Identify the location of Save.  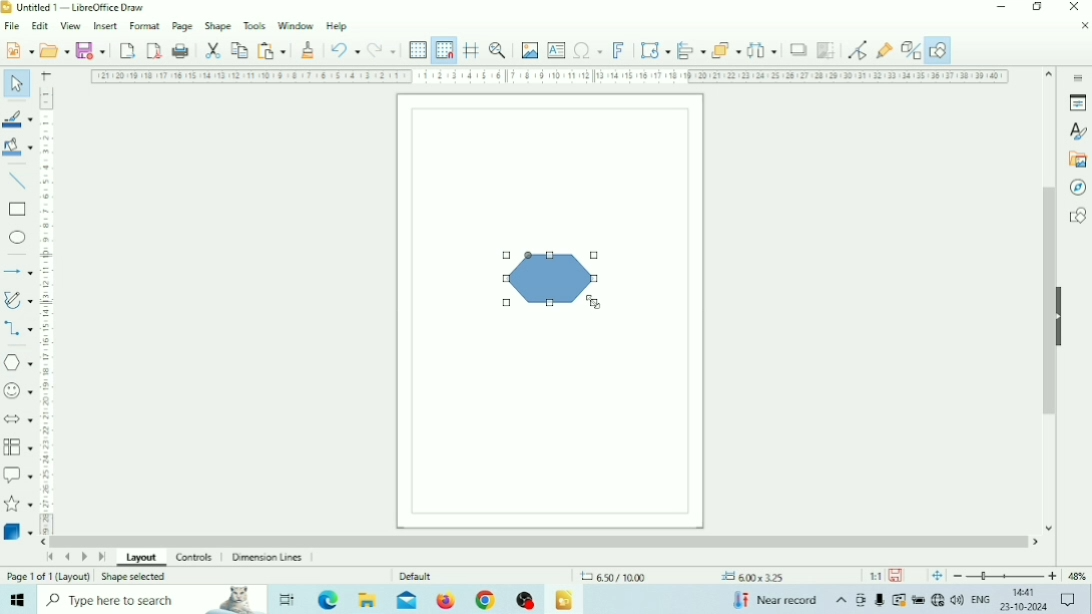
(896, 576).